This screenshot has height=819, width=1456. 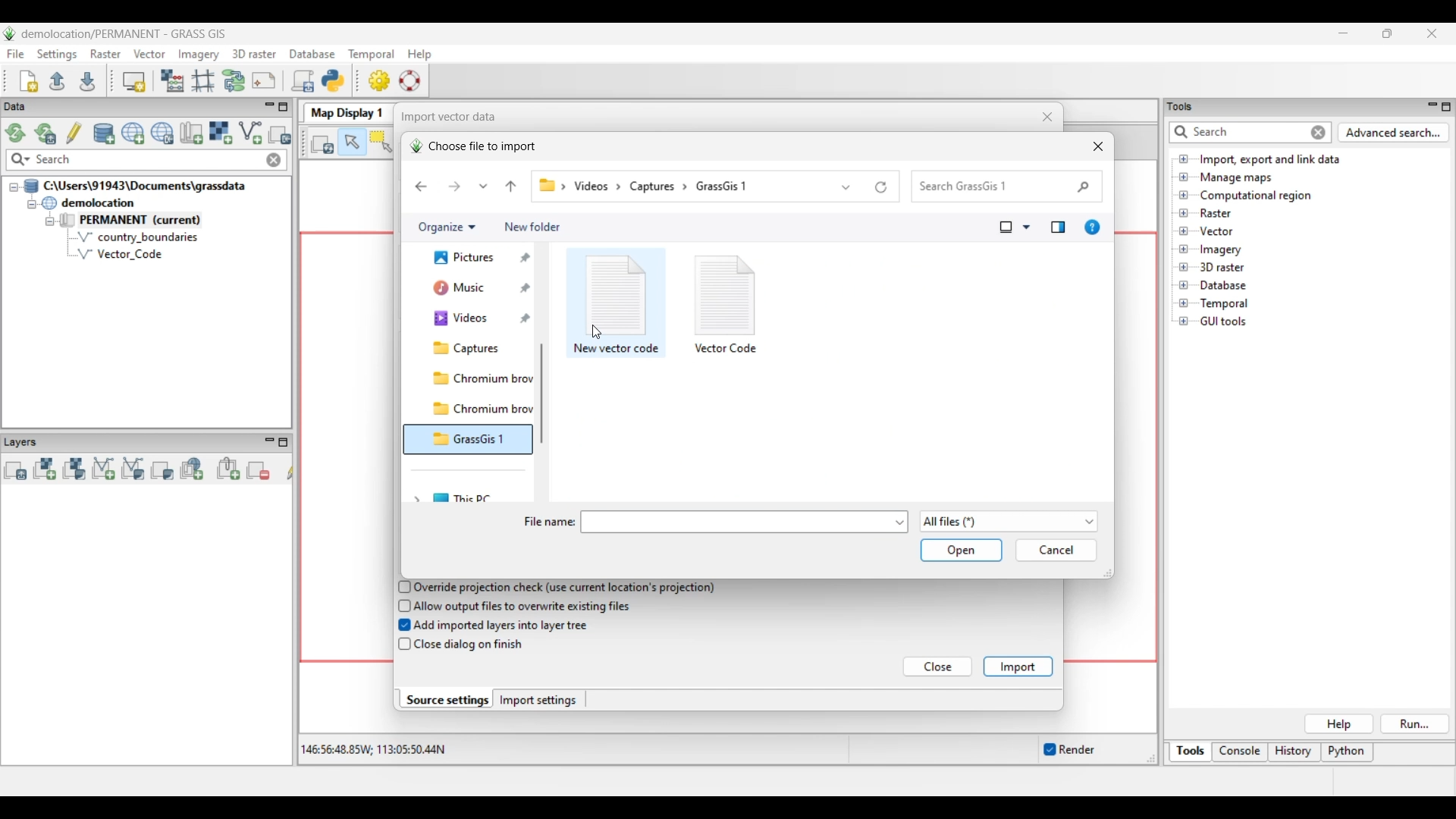 What do you see at coordinates (148, 160) in the screenshot?
I see `Type in map for quick search` at bounding box center [148, 160].